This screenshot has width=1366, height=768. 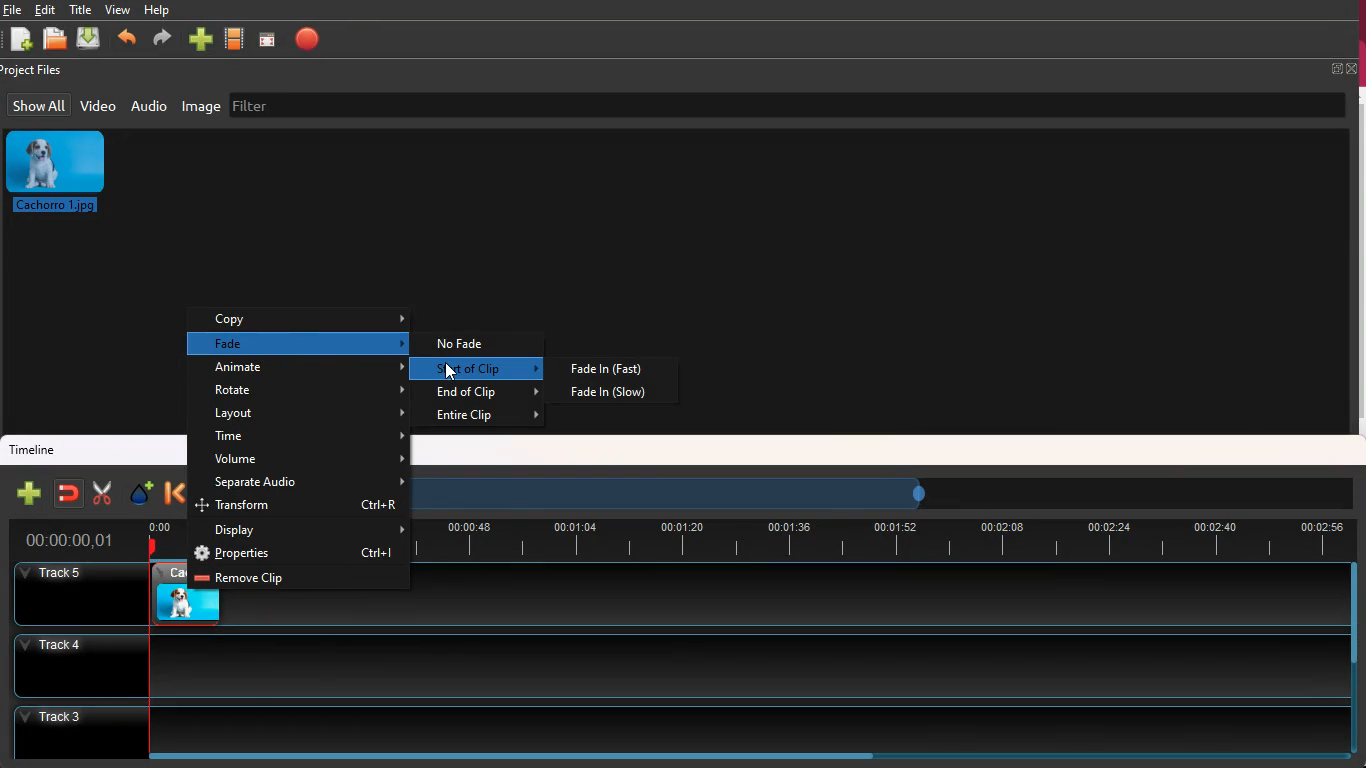 I want to click on show all, so click(x=38, y=105).